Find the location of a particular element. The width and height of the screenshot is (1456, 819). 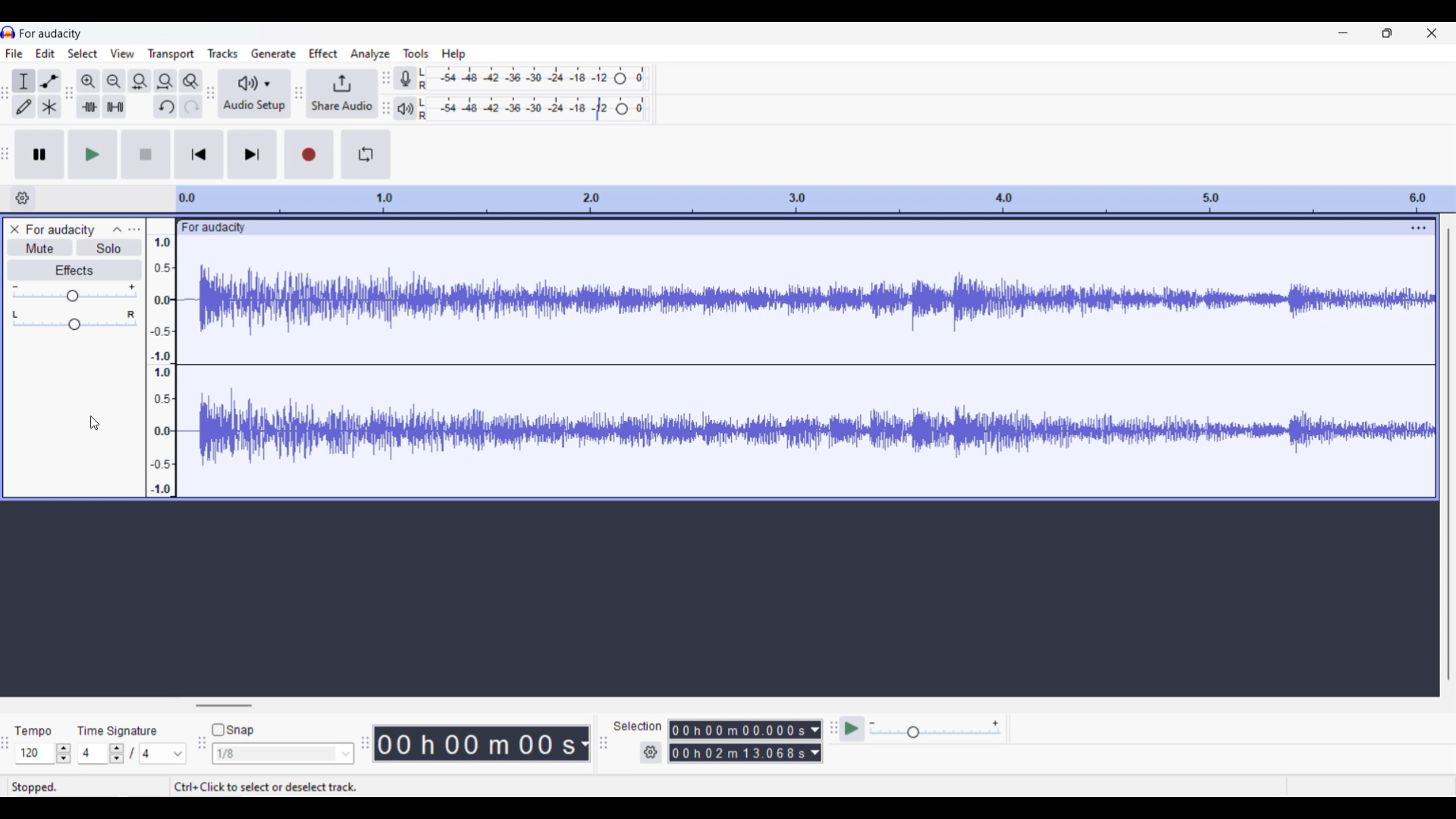

Select is located at coordinates (83, 53).